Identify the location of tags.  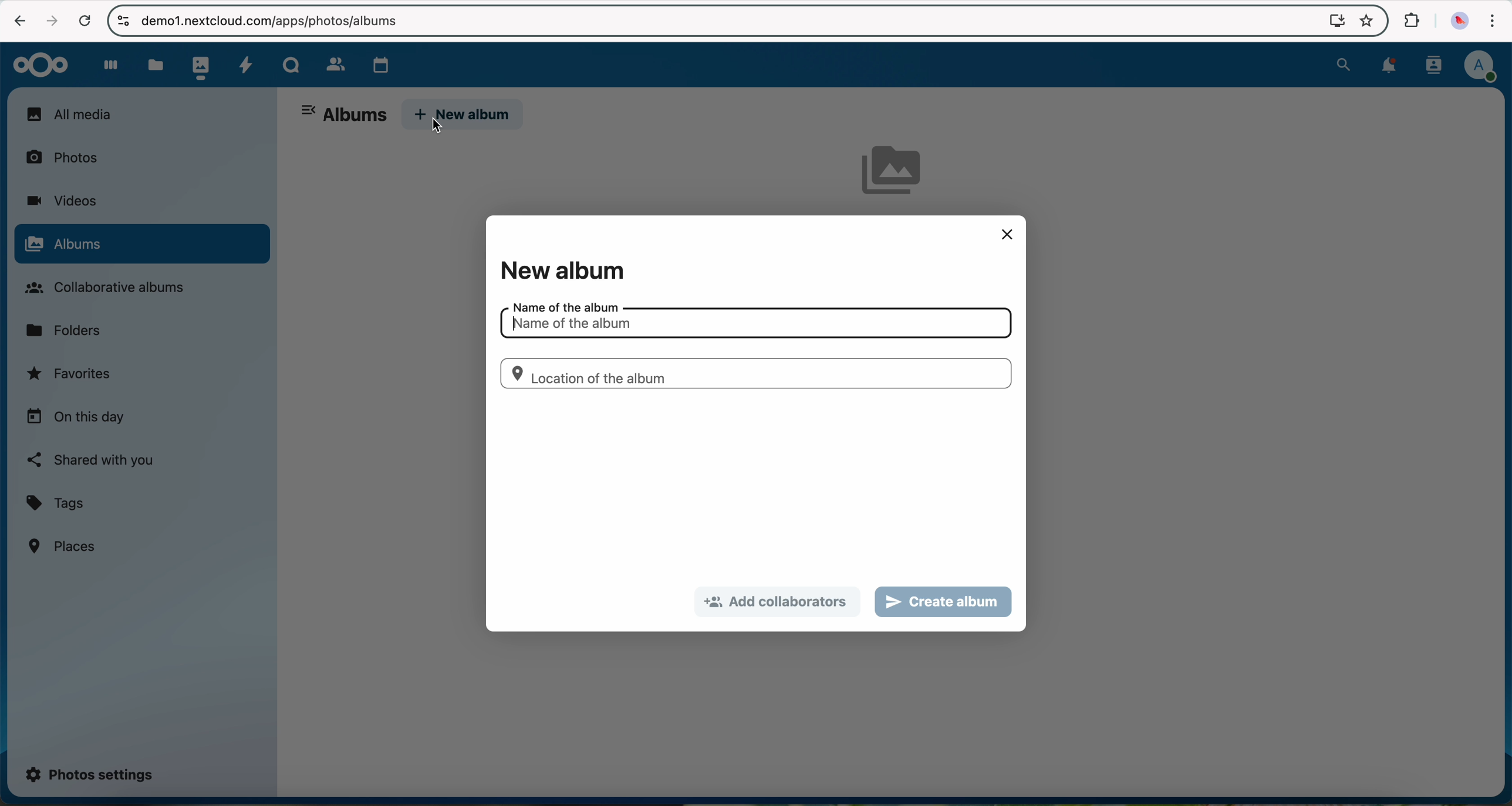
(56, 504).